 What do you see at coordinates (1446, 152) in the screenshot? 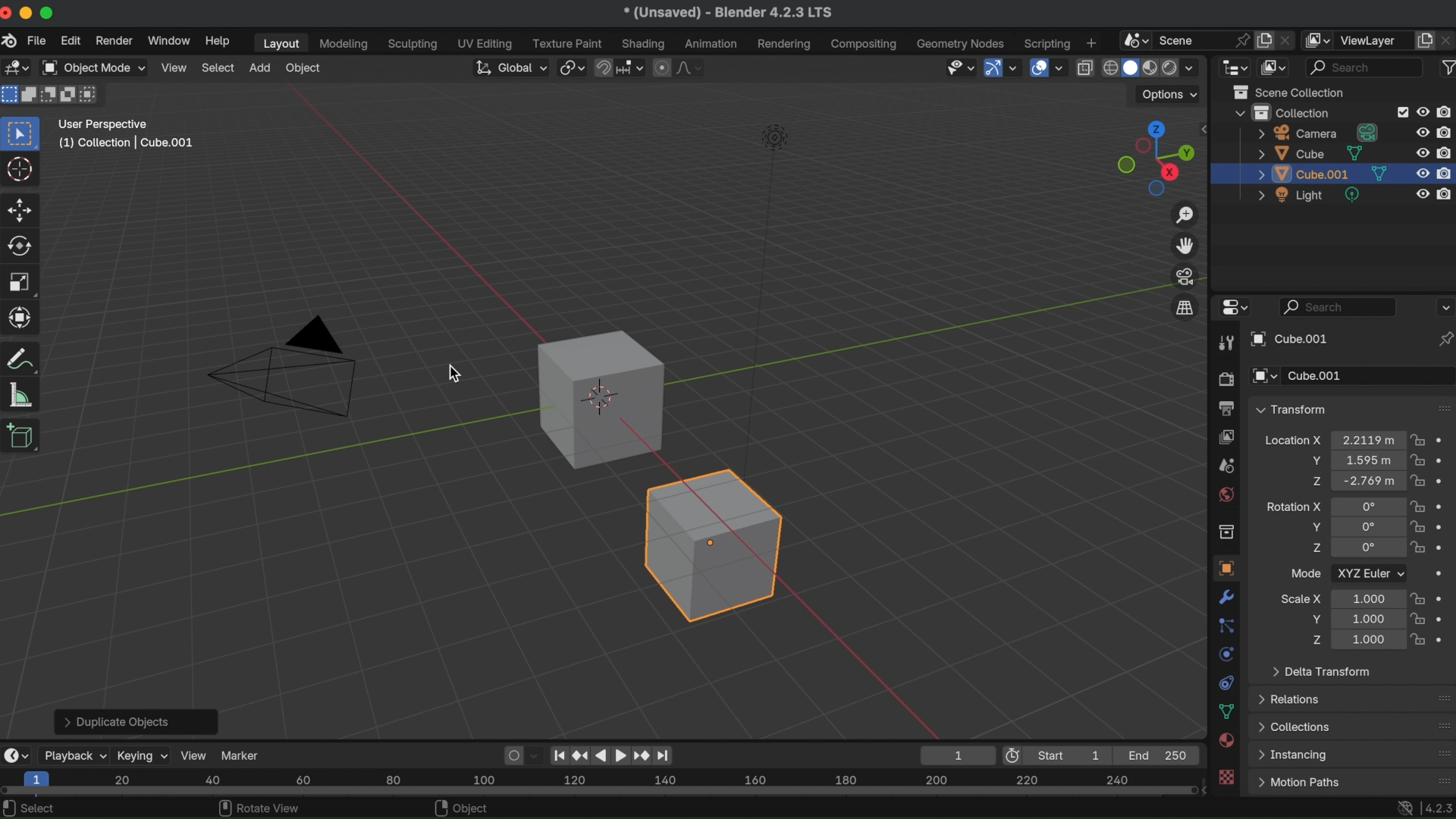
I see `disable in render` at bounding box center [1446, 152].